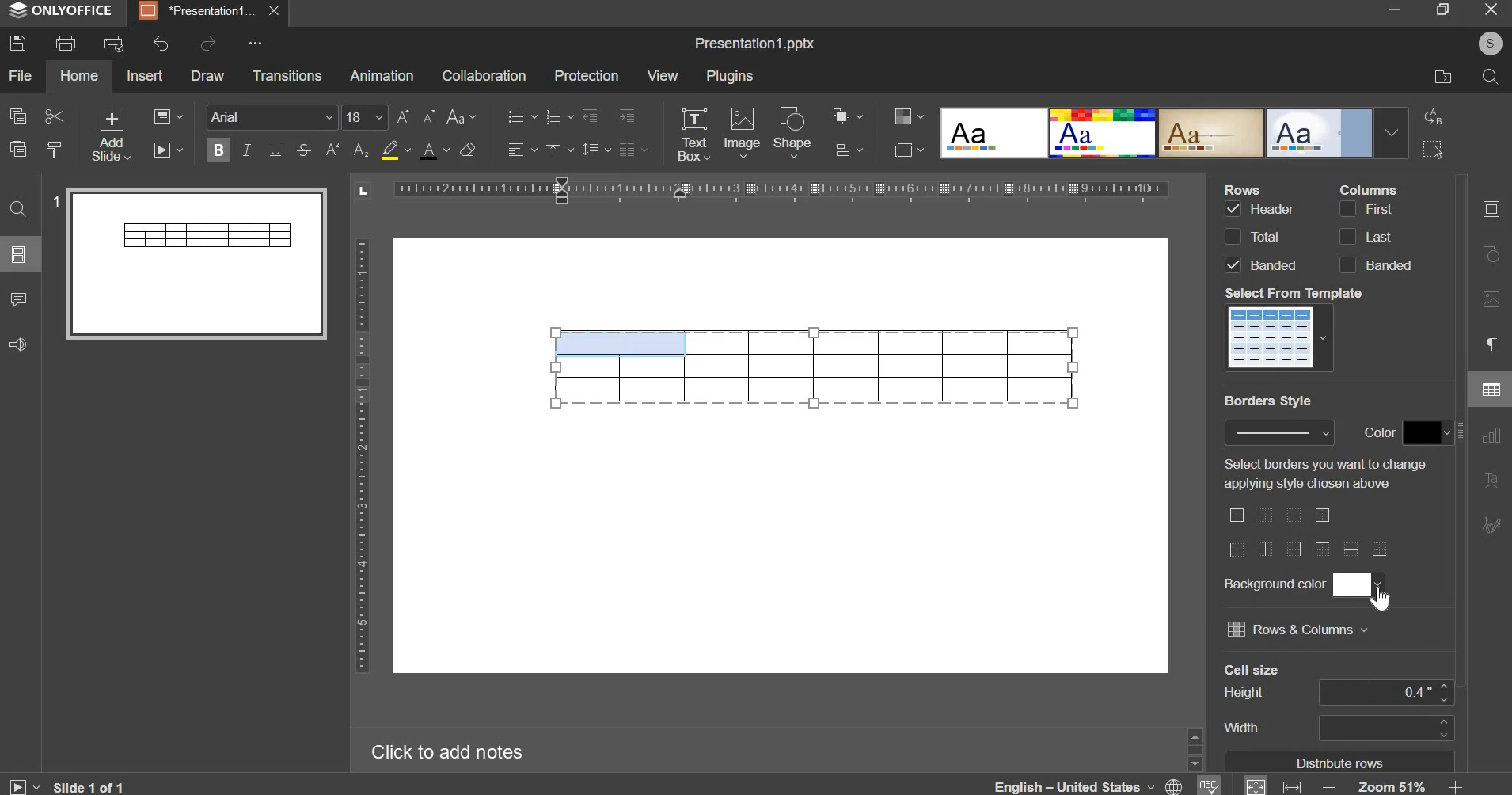 The image size is (1512, 795). Describe the element at coordinates (64, 11) in the screenshot. I see `ONLYOFFICE ` at that location.